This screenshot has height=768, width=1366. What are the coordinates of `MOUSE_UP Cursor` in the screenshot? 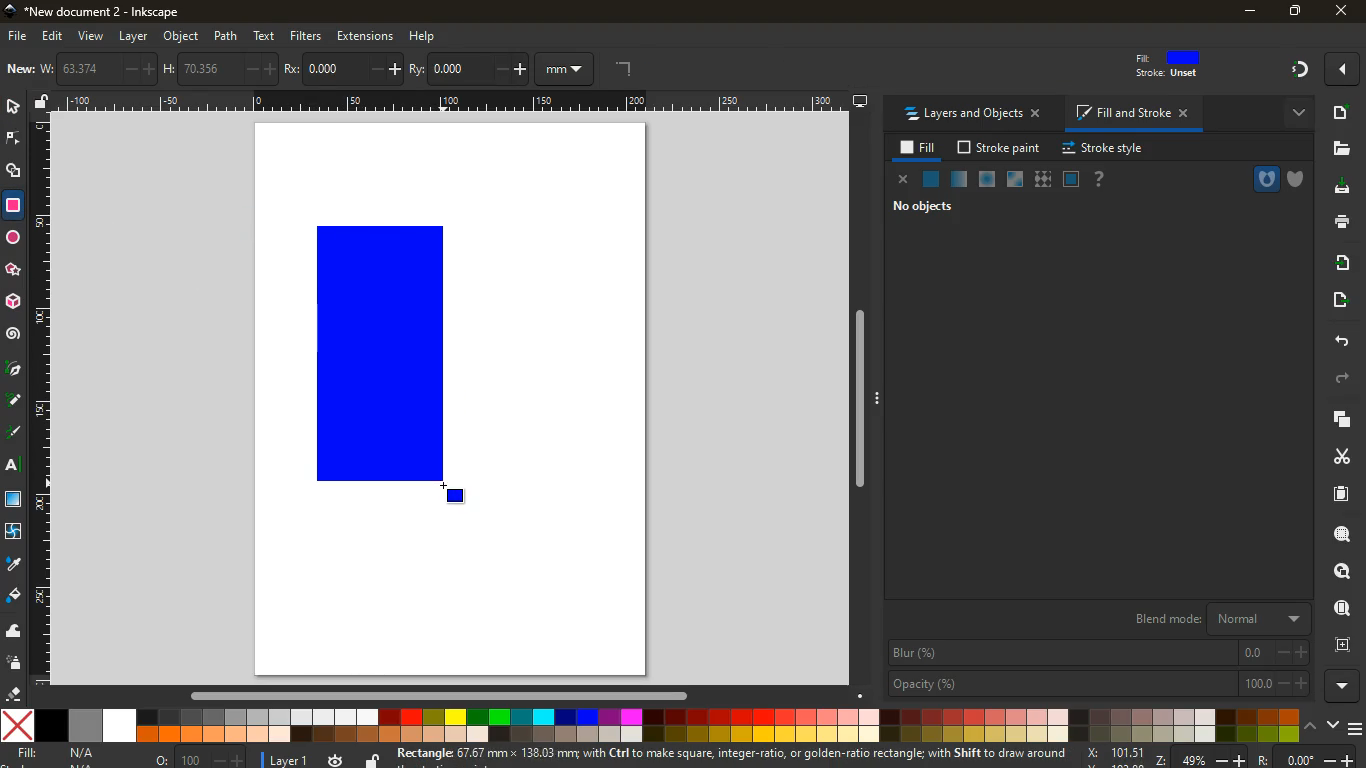 It's located at (452, 492).